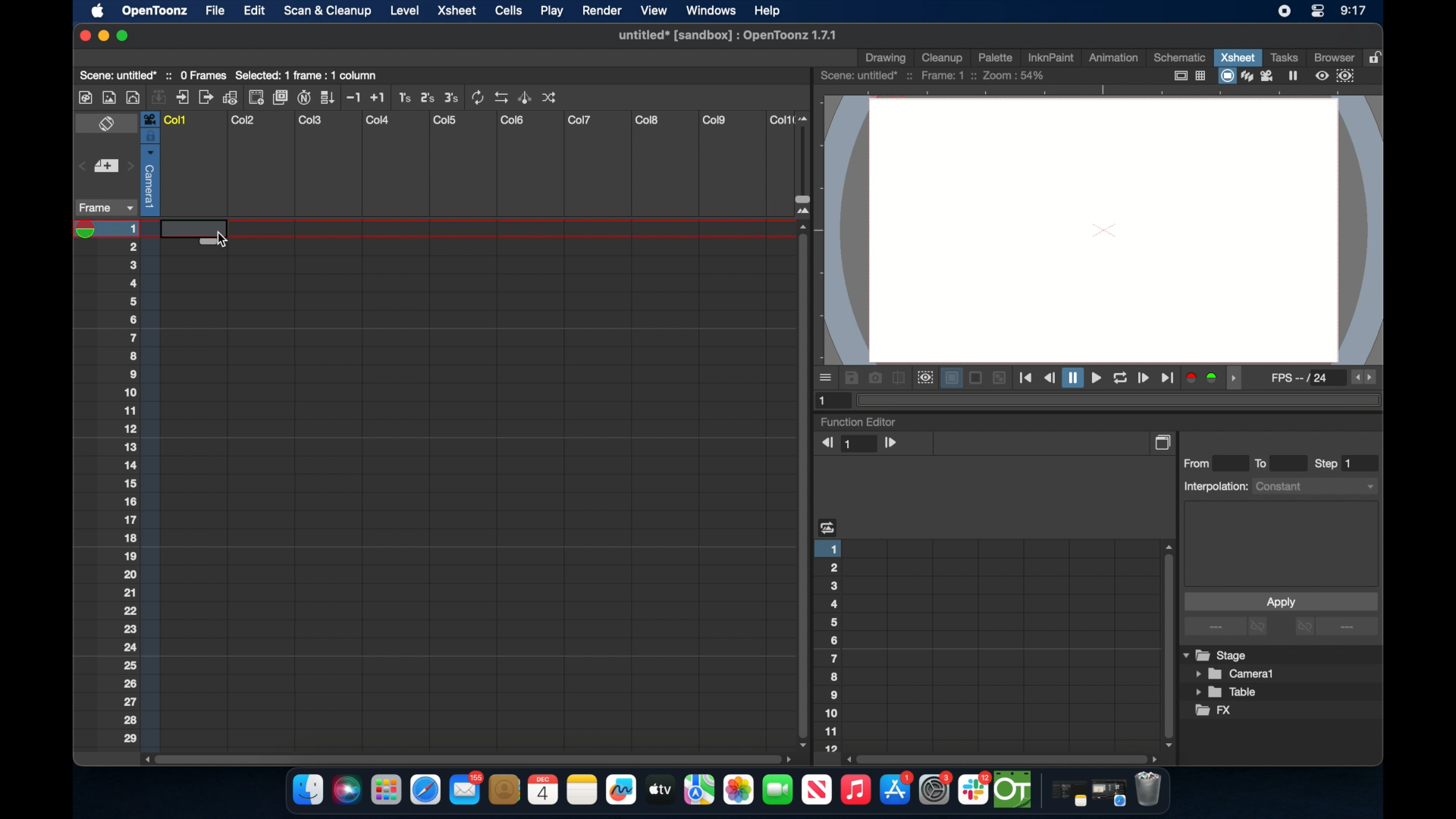 This screenshot has height=819, width=1456. Describe the element at coordinates (859, 422) in the screenshot. I see `function editor` at that location.